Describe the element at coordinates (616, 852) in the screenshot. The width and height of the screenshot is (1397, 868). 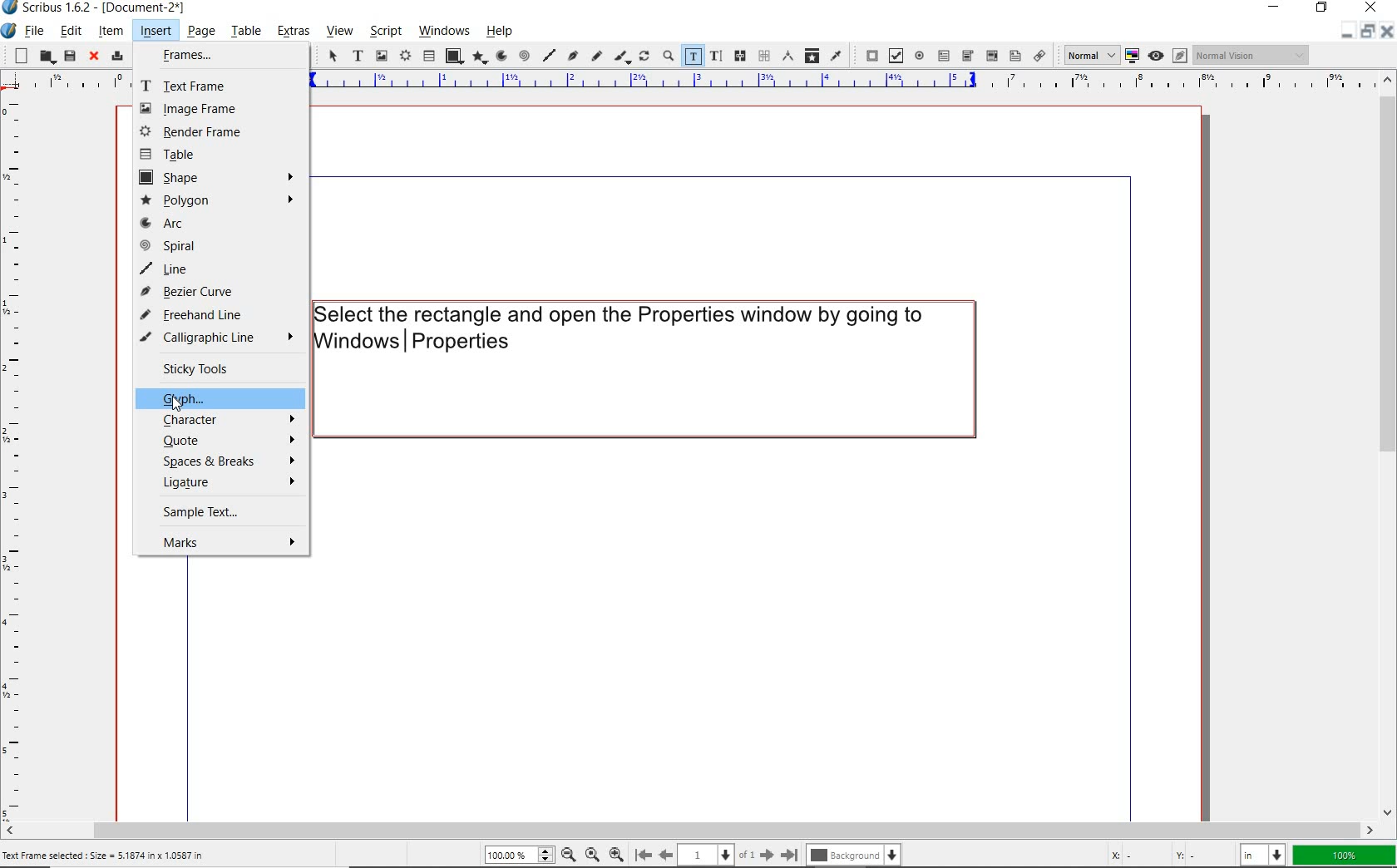
I see `zoom in` at that location.